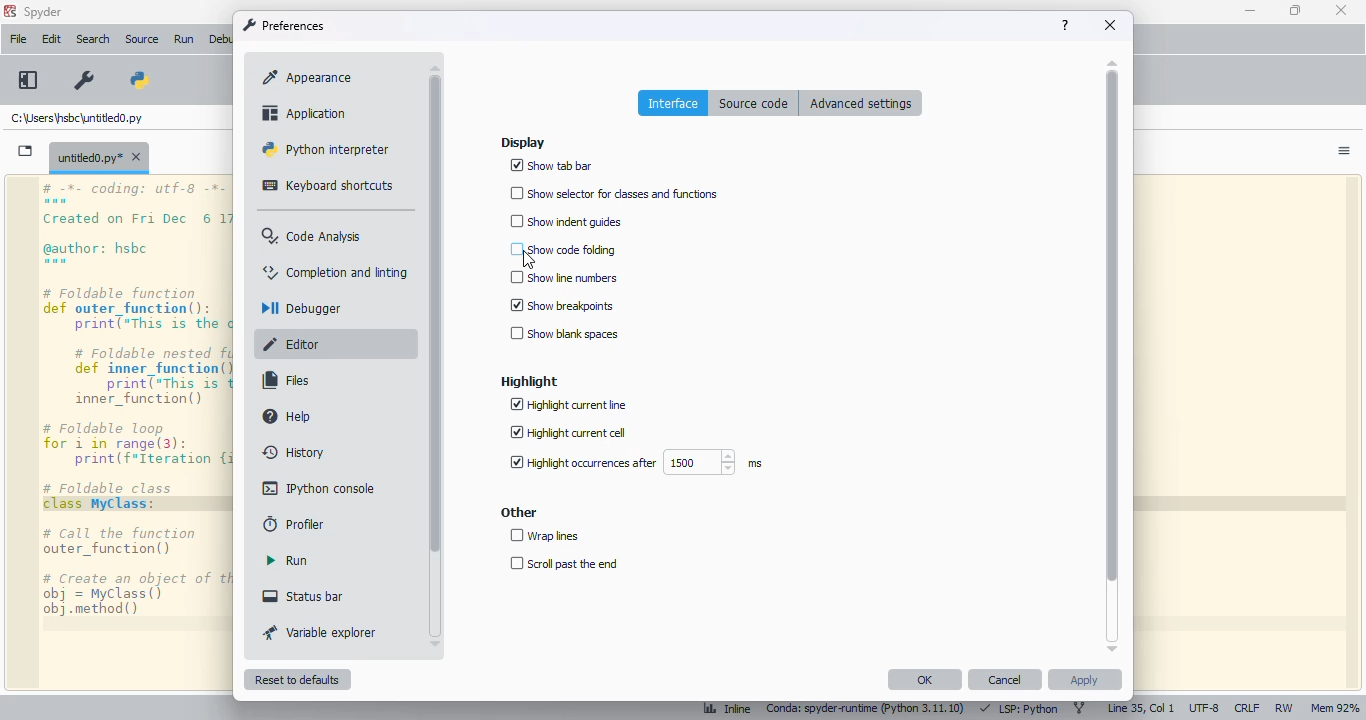 This screenshot has height=720, width=1366. Describe the element at coordinates (925, 679) in the screenshot. I see `OK` at that location.